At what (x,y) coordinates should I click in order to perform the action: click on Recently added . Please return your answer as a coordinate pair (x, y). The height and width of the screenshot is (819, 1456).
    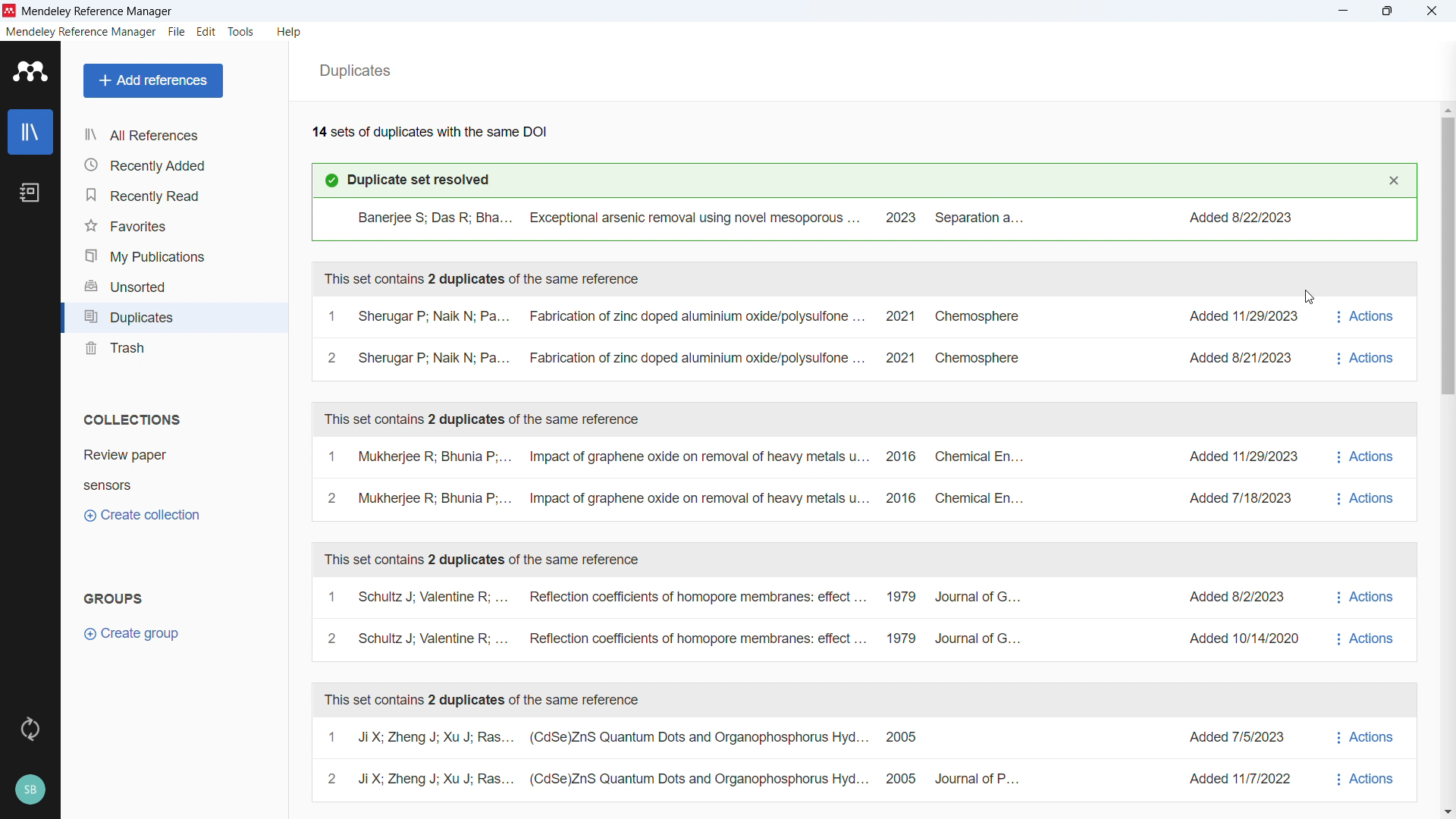
    Looking at the image, I should click on (171, 165).